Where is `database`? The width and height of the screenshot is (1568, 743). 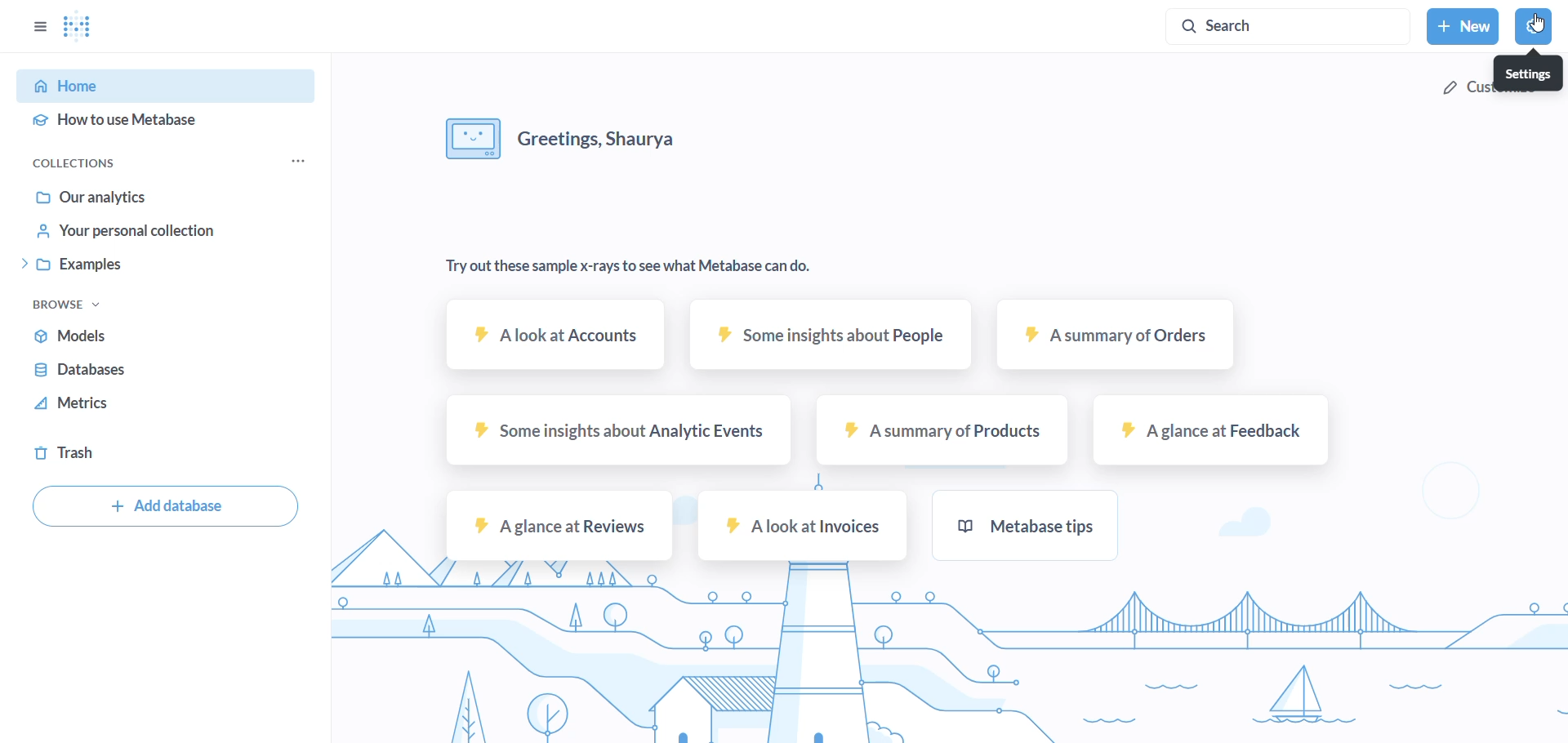
database is located at coordinates (90, 369).